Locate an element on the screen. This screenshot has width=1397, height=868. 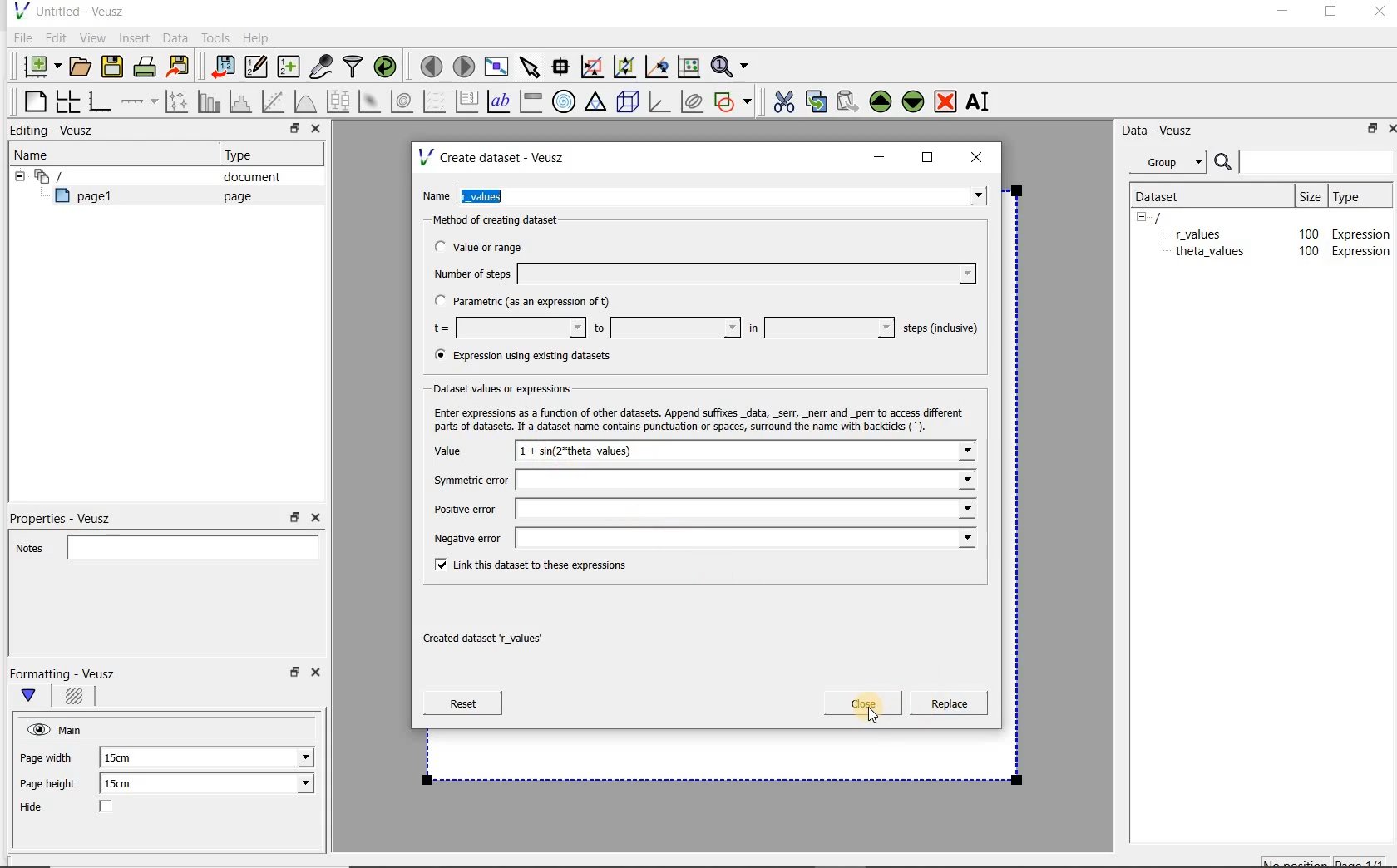
Edit and enter new datasets is located at coordinates (257, 67).